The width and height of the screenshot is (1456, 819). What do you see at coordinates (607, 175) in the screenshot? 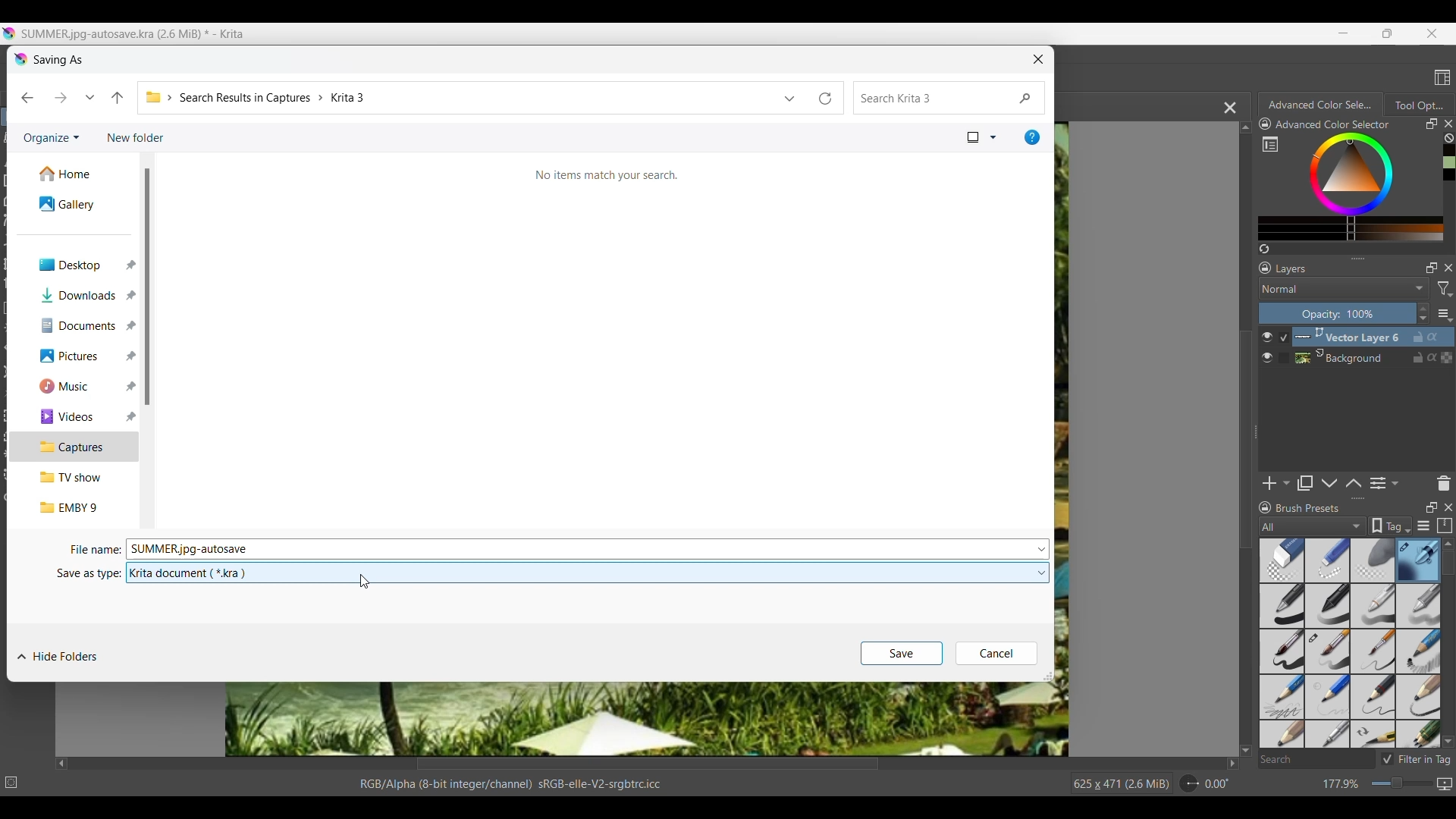
I see `Description of current folder` at bounding box center [607, 175].